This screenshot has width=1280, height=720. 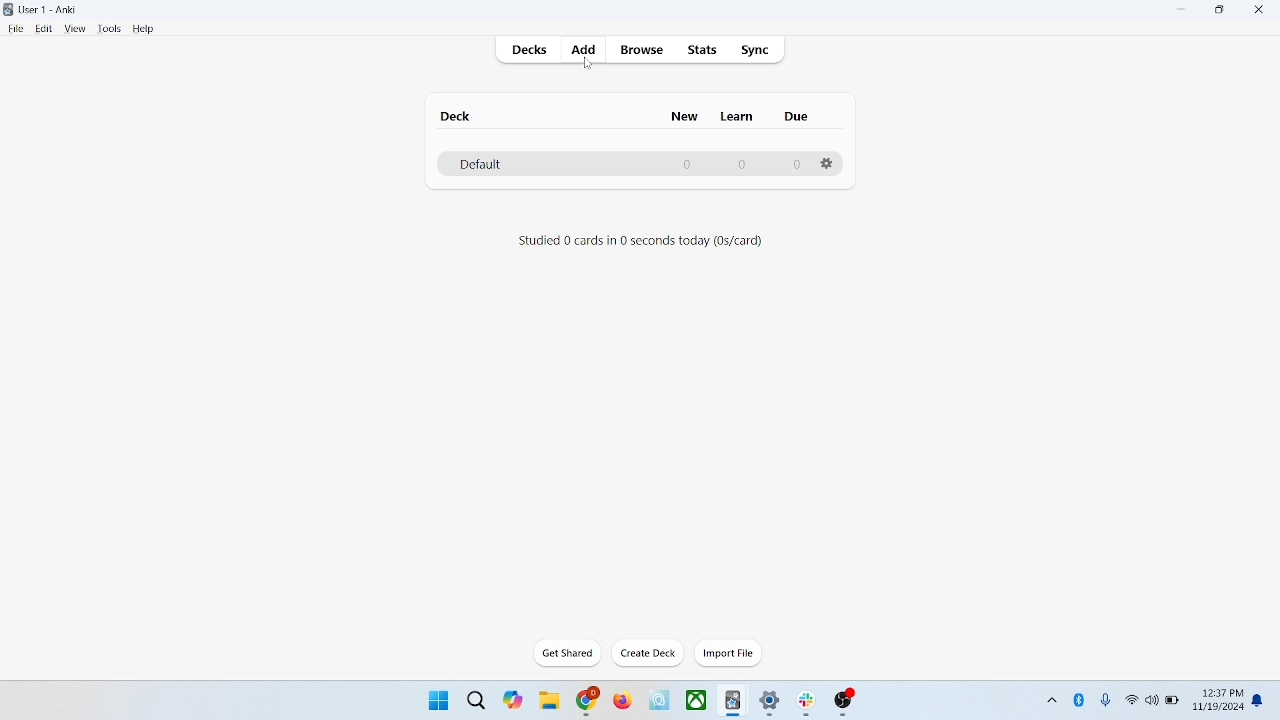 I want to click on options, so click(x=828, y=164).